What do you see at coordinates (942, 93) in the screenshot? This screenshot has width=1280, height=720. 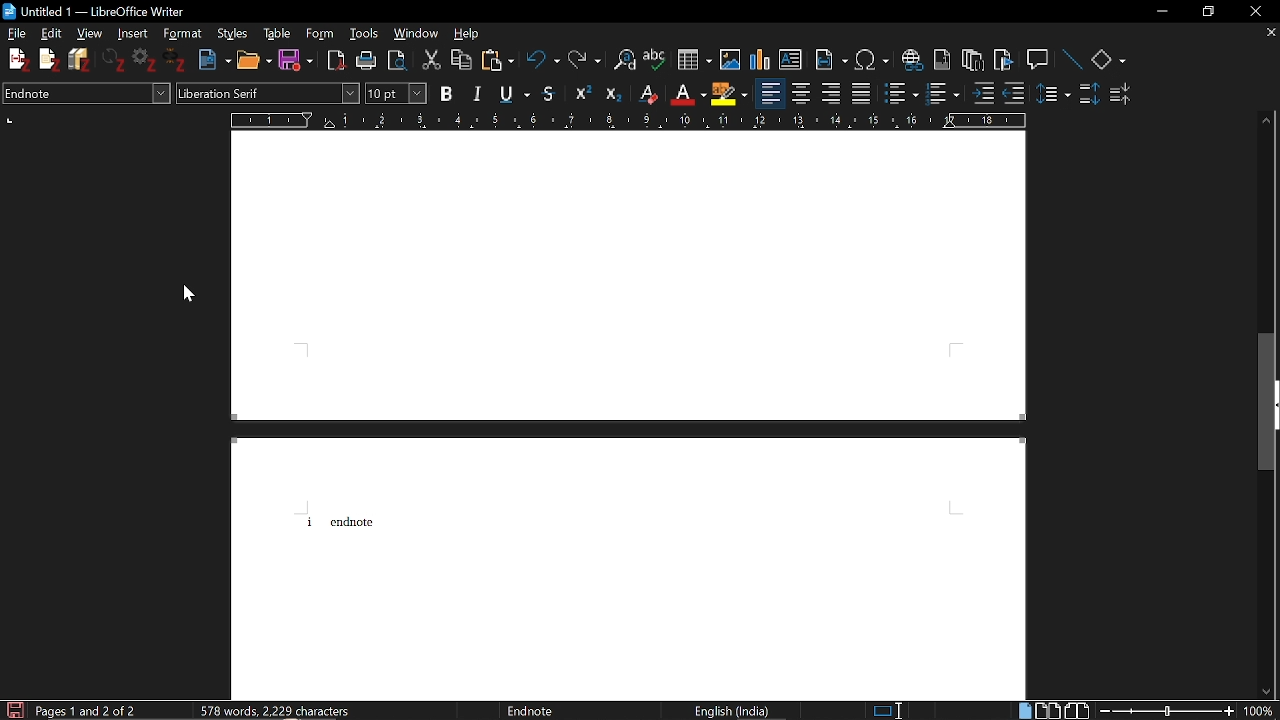 I see `Toggle unordered list` at bounding box center [942, 93].